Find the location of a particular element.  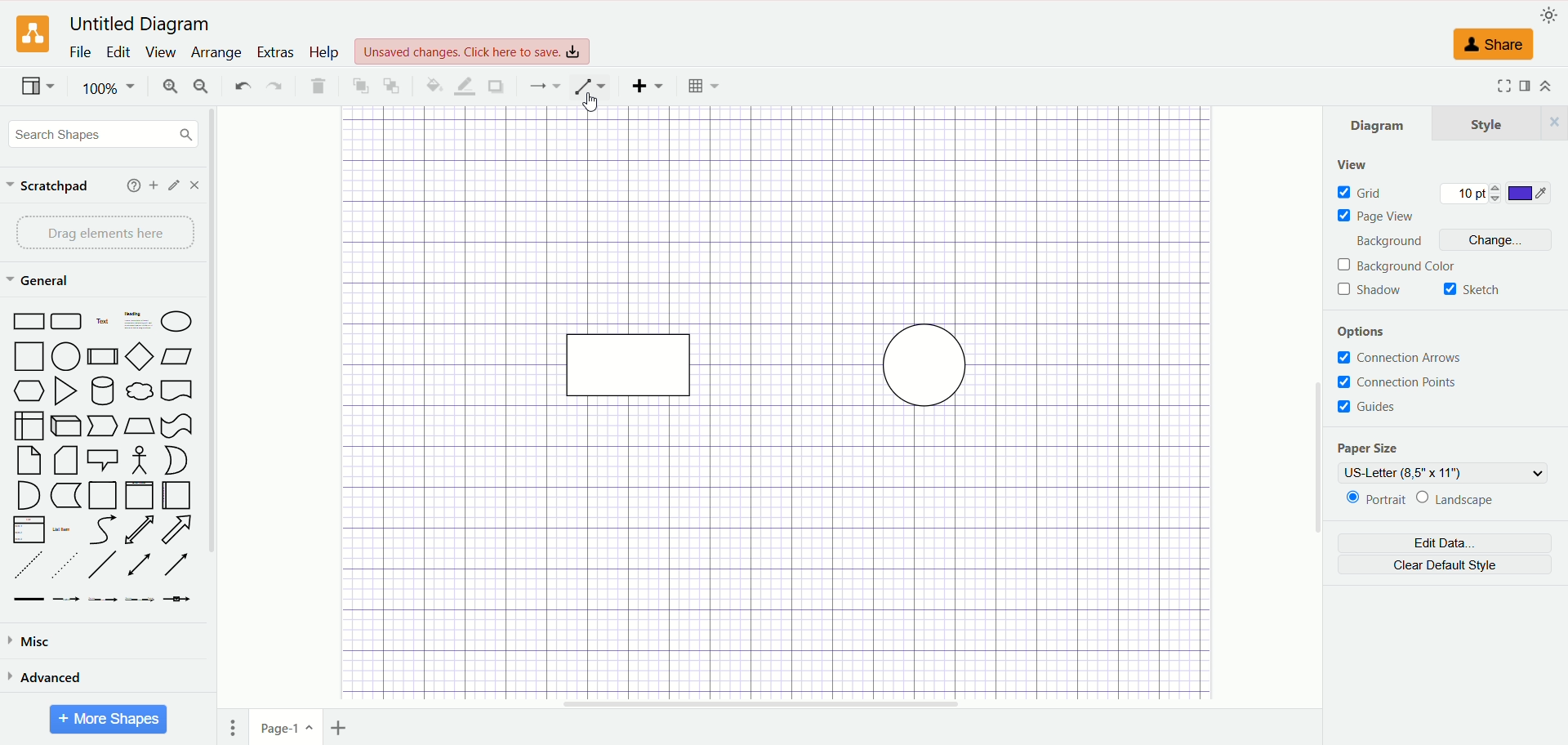

background is located at coordinates (1383, 243).